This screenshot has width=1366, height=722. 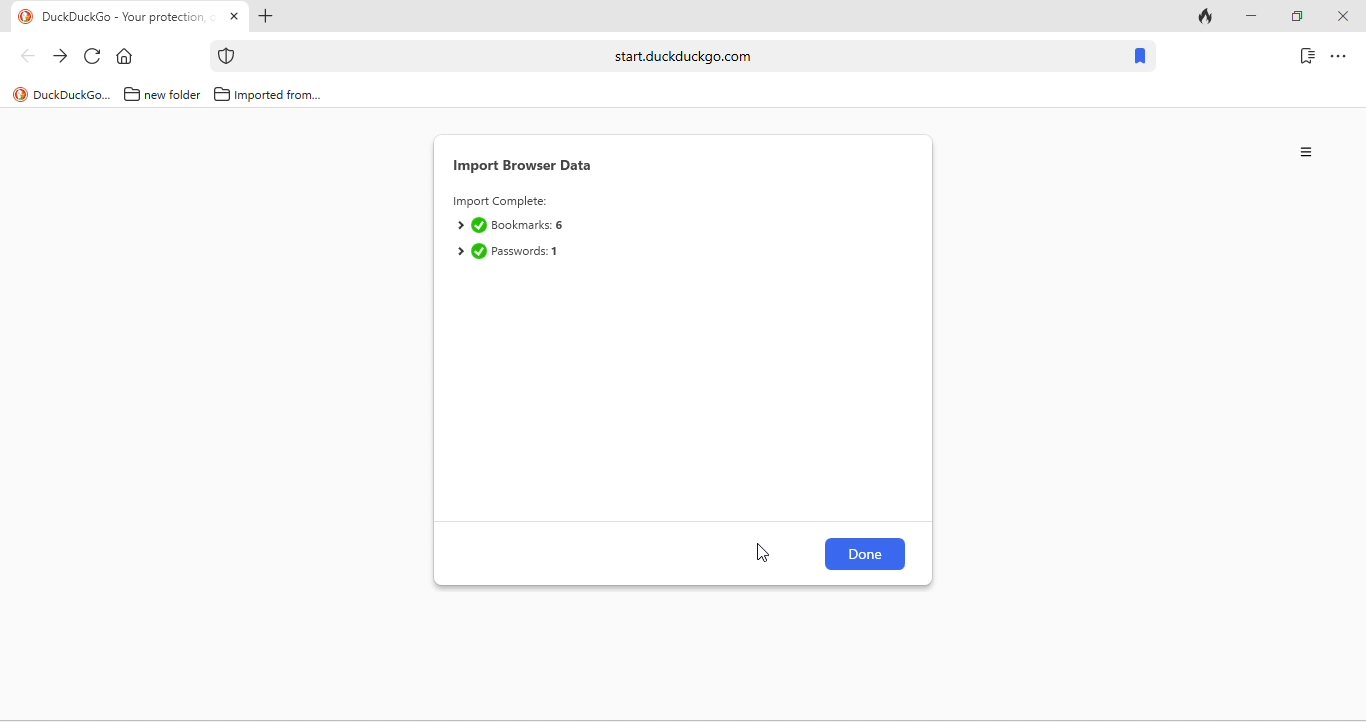 What do you see at coordinates (1308, 152) in the screenshot?
I see `option` at bounding box center [1308, 152].